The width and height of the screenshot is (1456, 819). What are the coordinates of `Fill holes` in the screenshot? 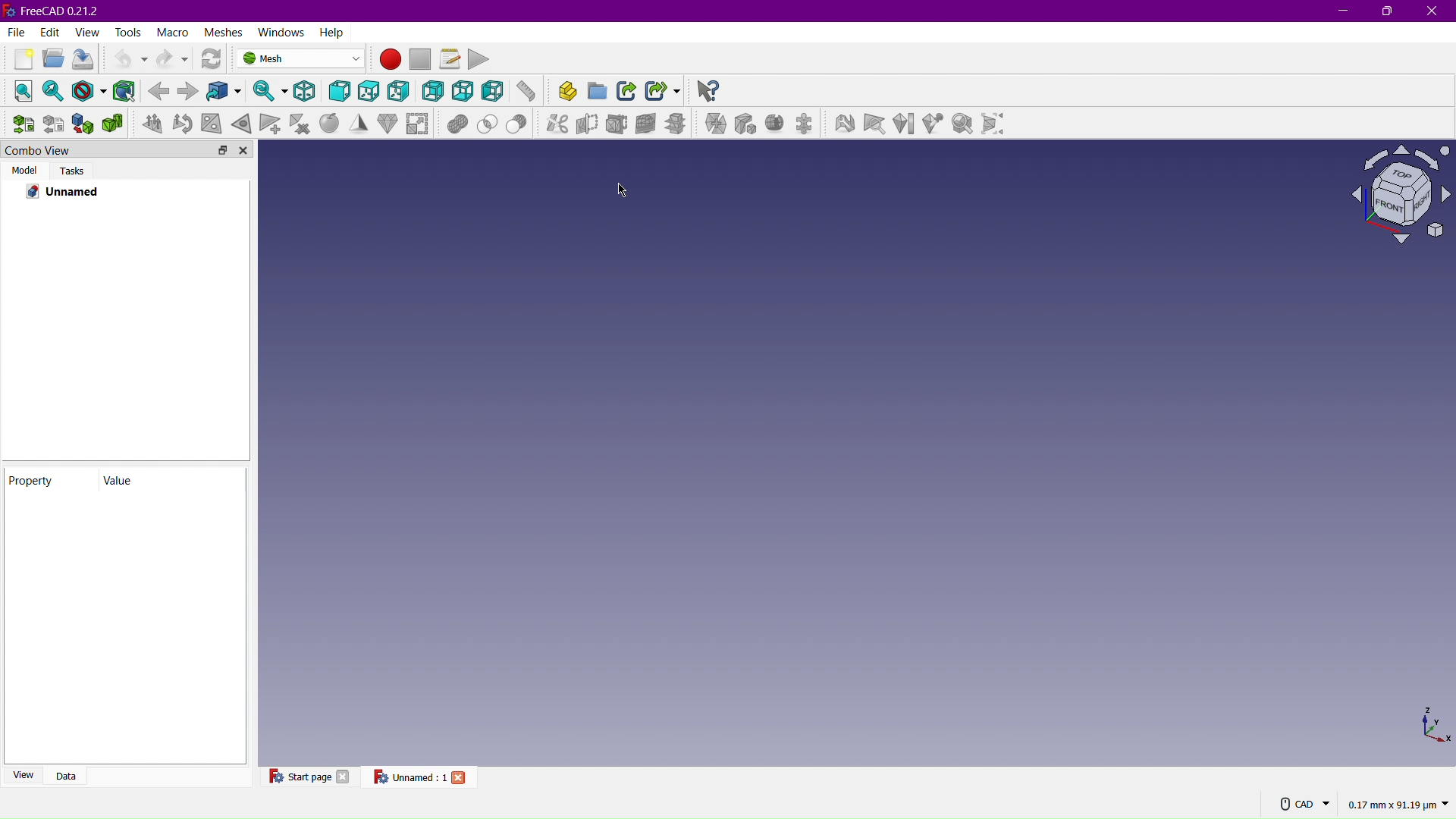 It's located at (214, 124).